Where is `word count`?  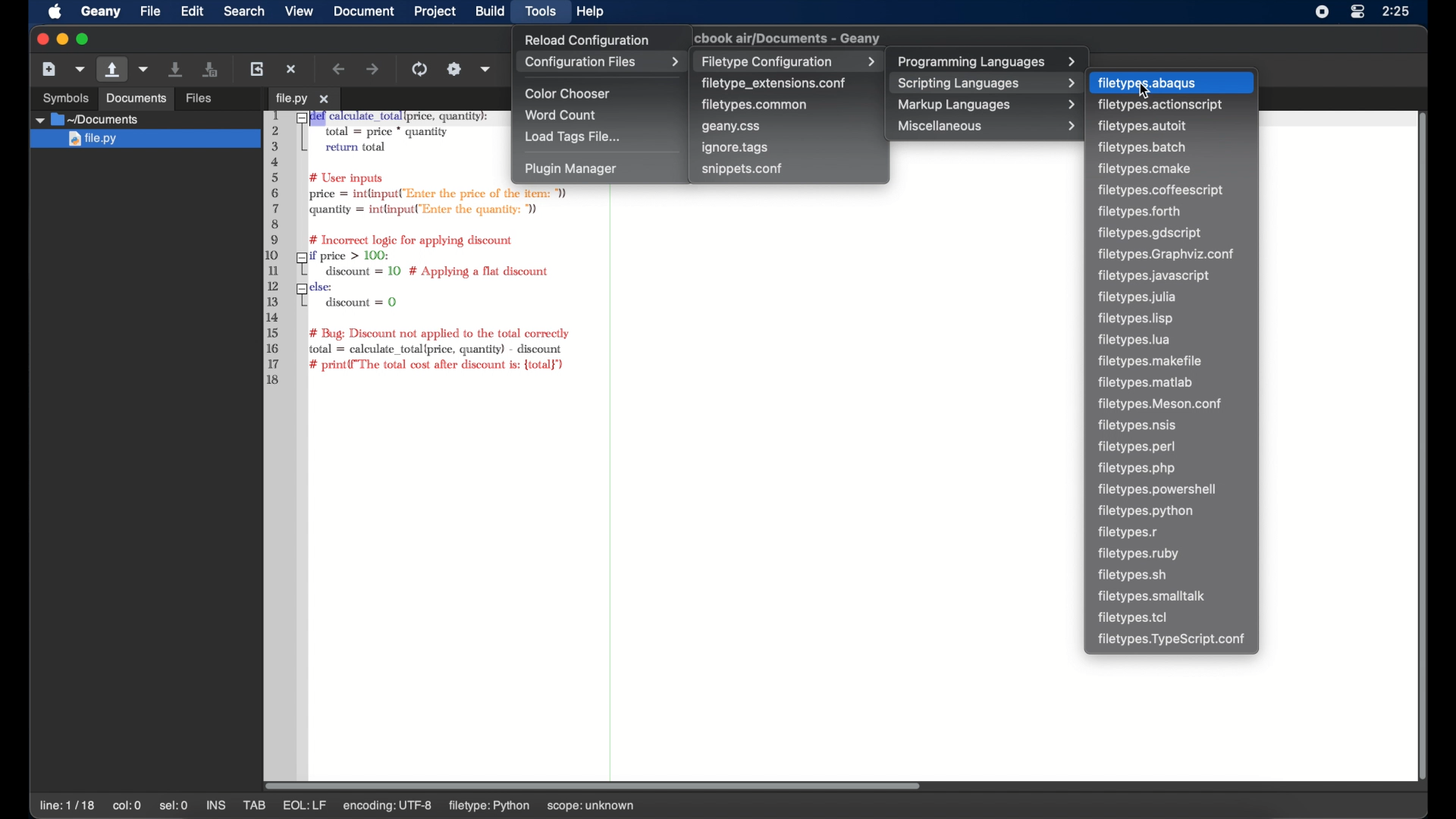
word count is located at coordinates (563, 115).